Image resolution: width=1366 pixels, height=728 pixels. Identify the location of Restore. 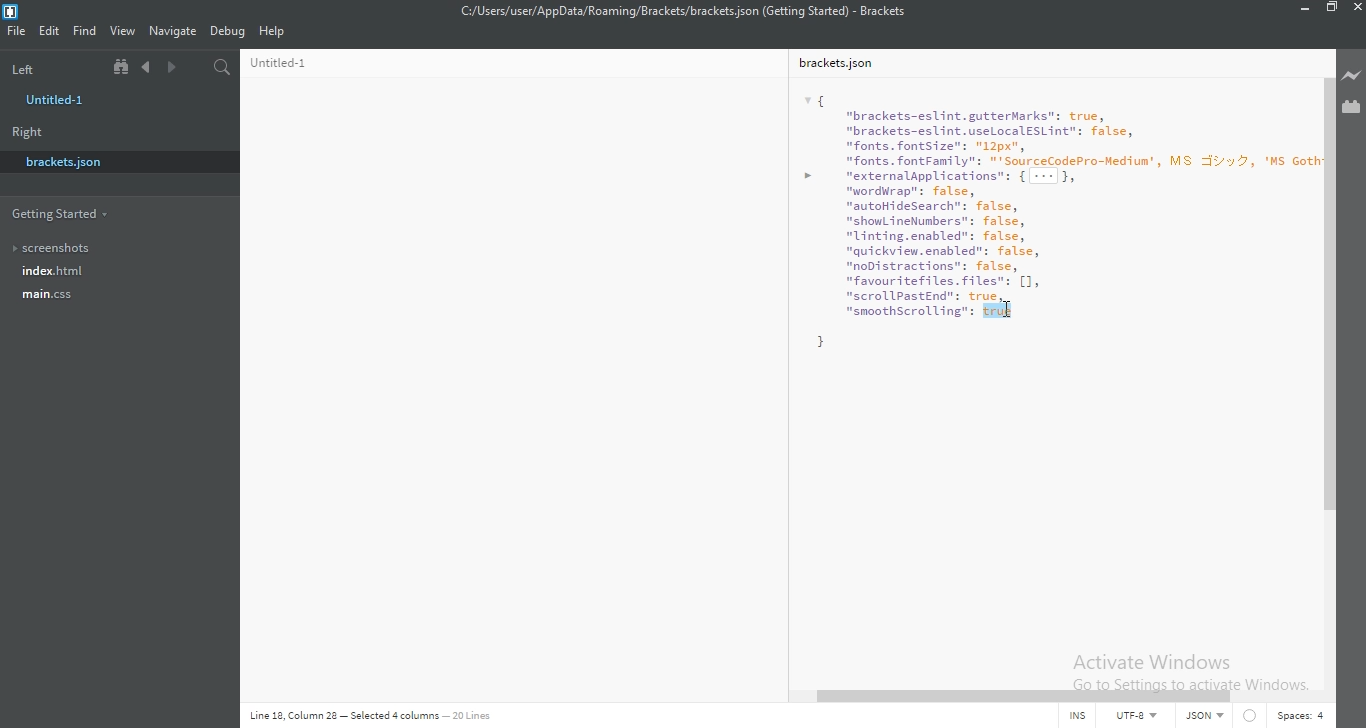
(1332, 9).